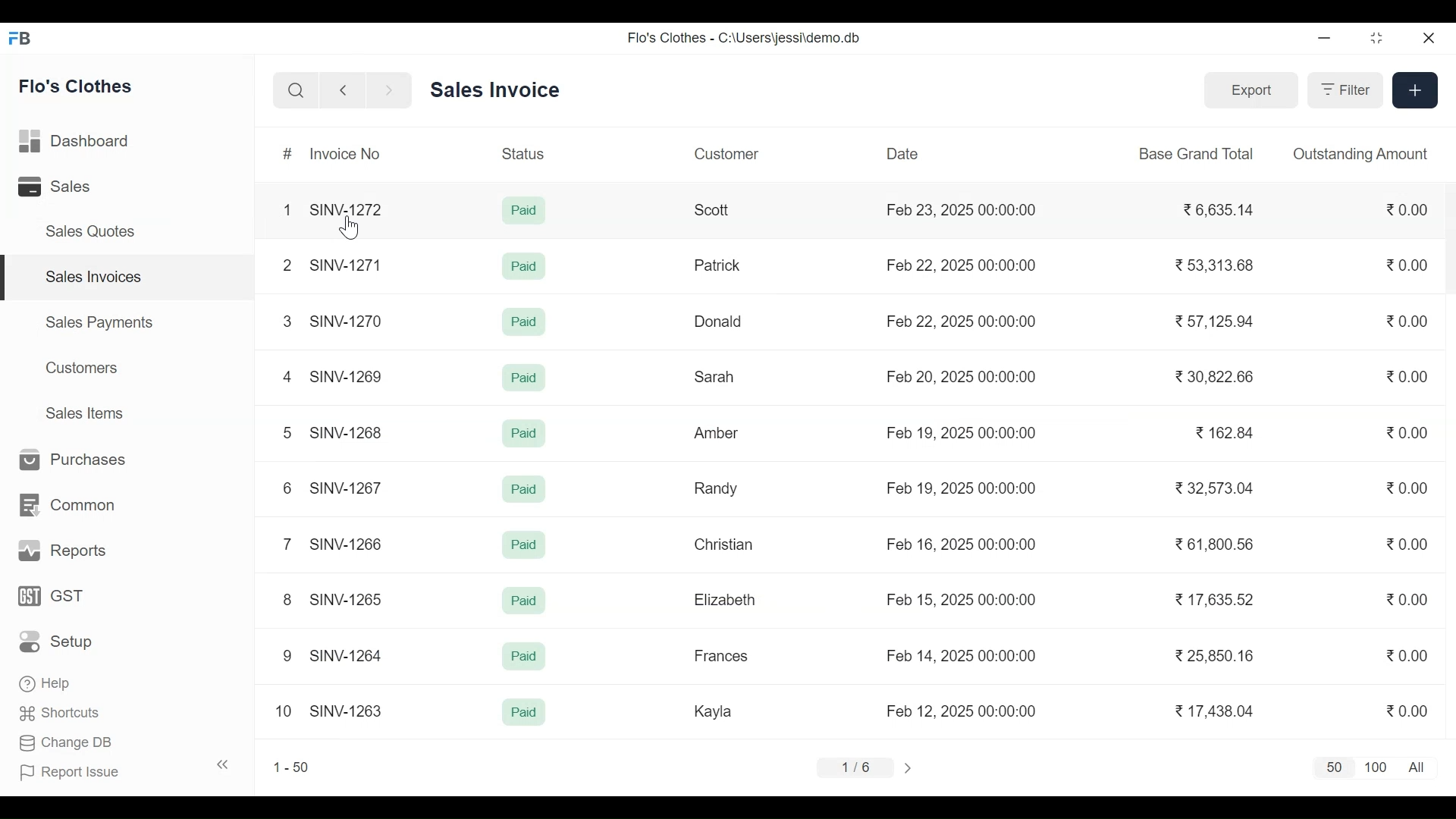 This screenshot has width=1456, height=819. What do you see at coordinates (522, 267) in the screenshot?
I see `Paid` at bounding box center [522, 267].